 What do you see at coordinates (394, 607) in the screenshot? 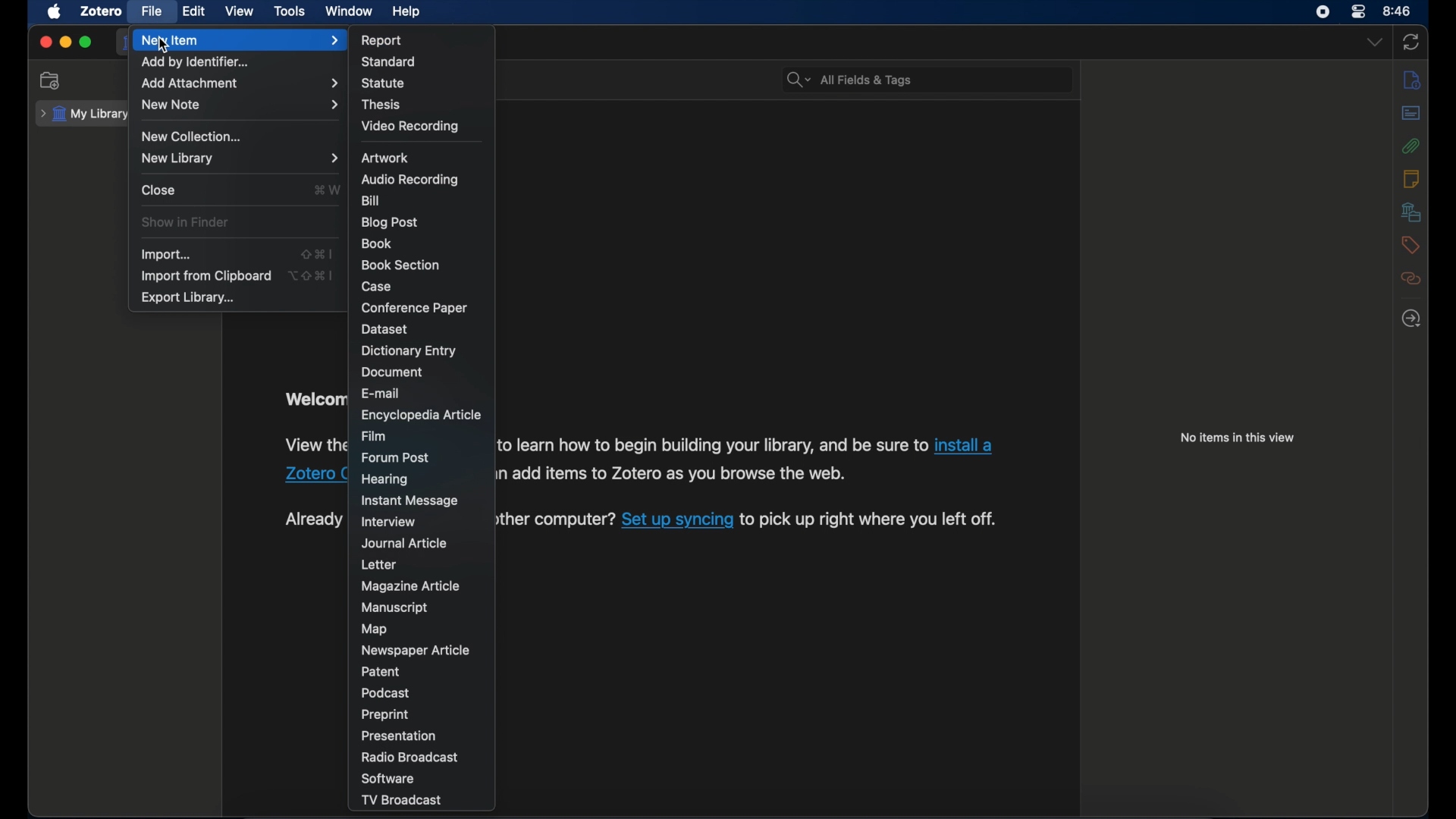
I see `manuscript` at bounding box center [394, 607].